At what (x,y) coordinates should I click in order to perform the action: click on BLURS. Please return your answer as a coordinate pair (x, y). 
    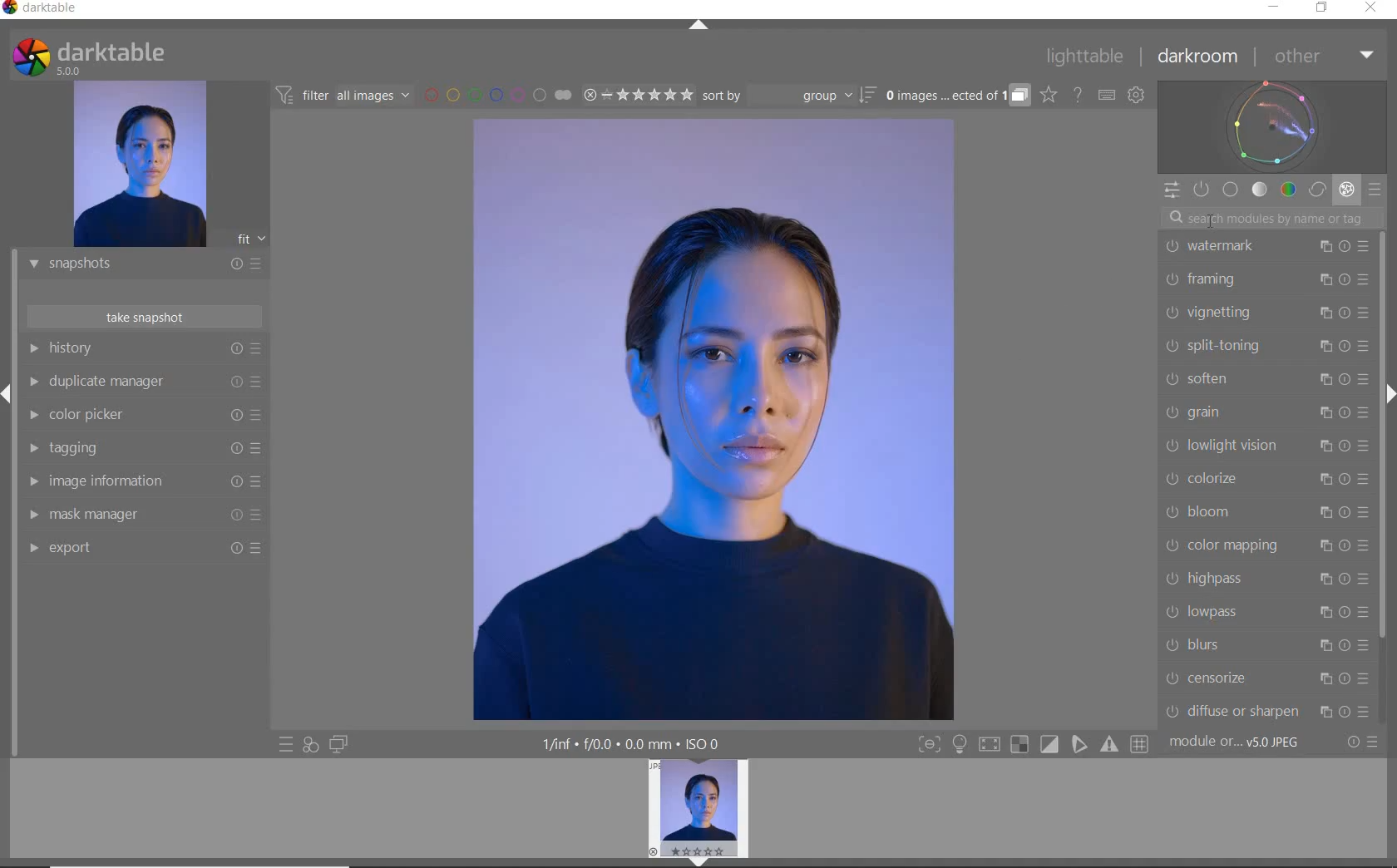
    Looking at the image, I should click on (1266, 645).